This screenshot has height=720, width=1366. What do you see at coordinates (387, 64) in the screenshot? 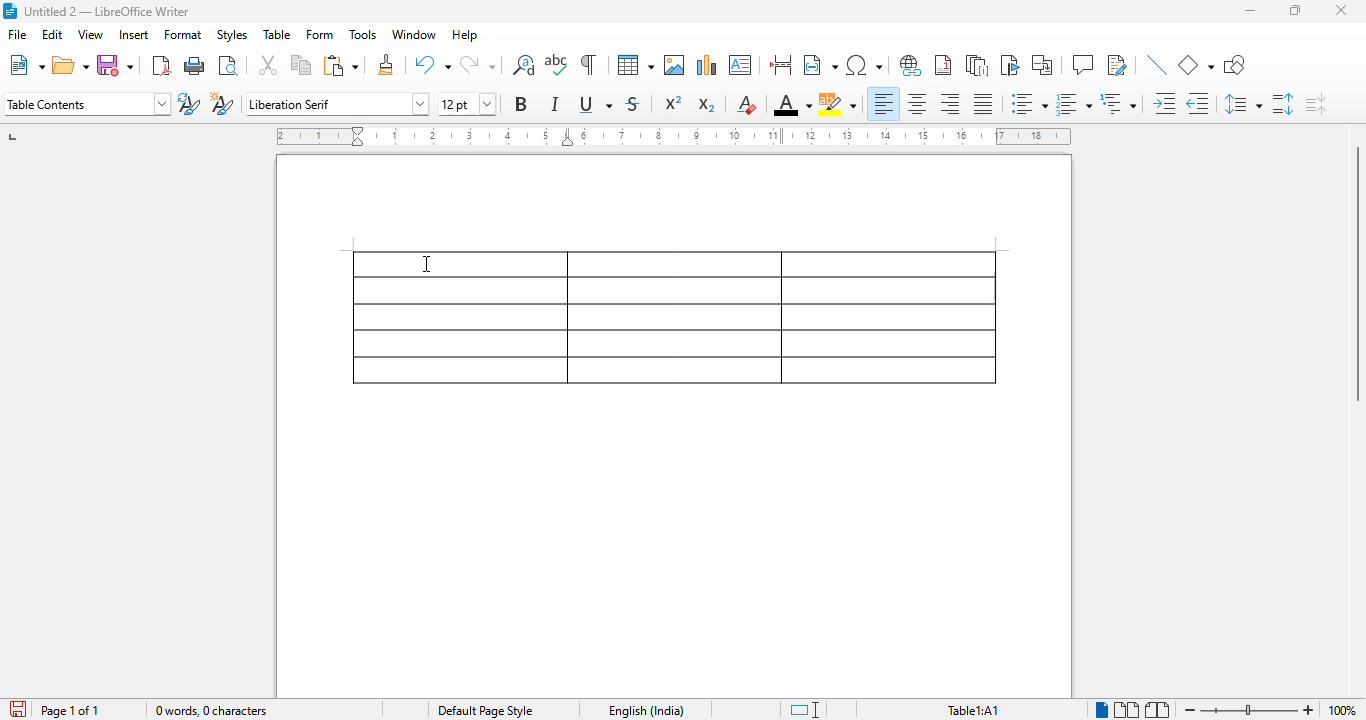
I see `clone formatting` at bounding box center [387, 64].